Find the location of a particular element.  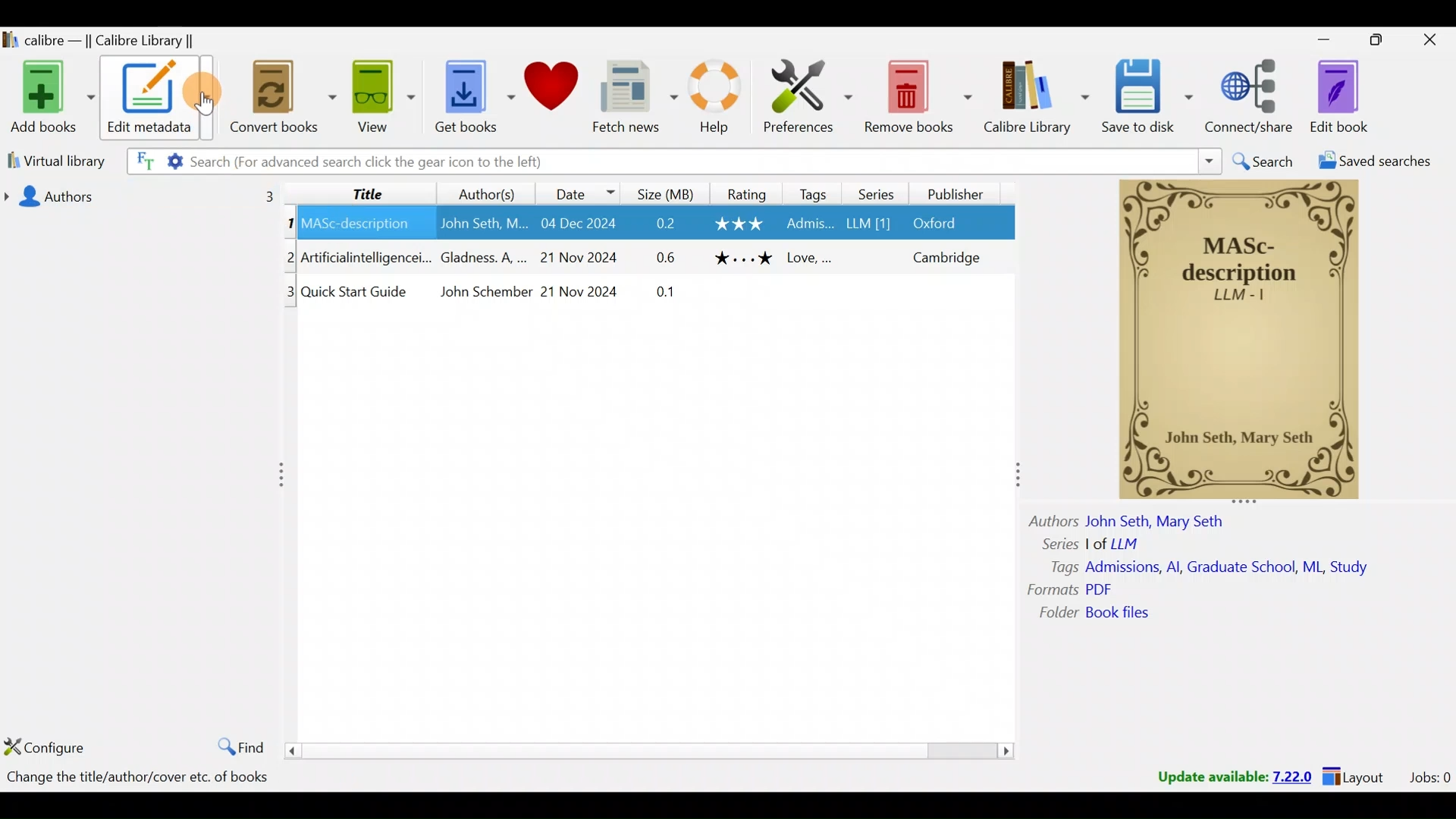

Books count is located at coordinates (155, 778).